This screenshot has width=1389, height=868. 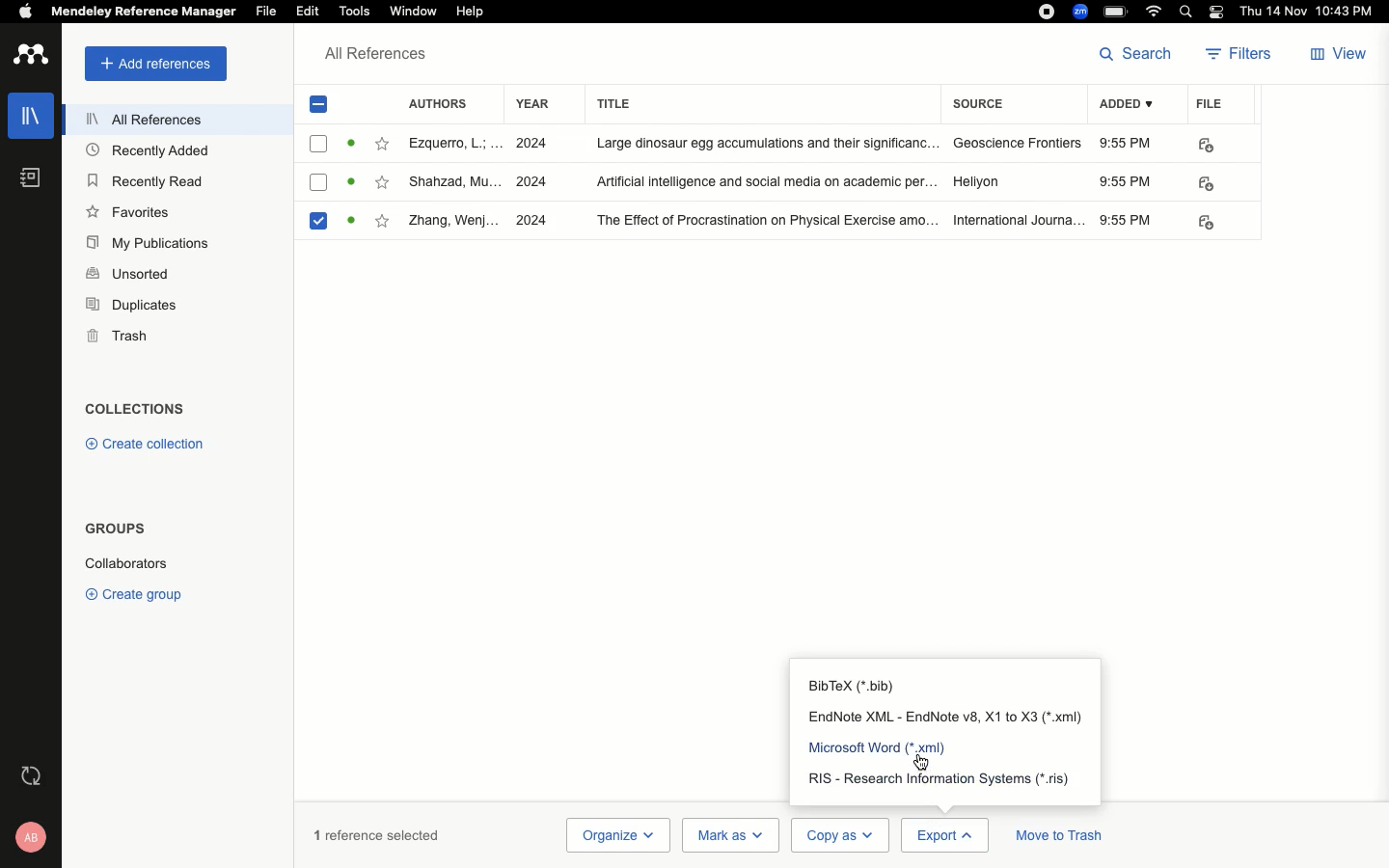 I want to click on Notification, so click(x=1219, y=12).